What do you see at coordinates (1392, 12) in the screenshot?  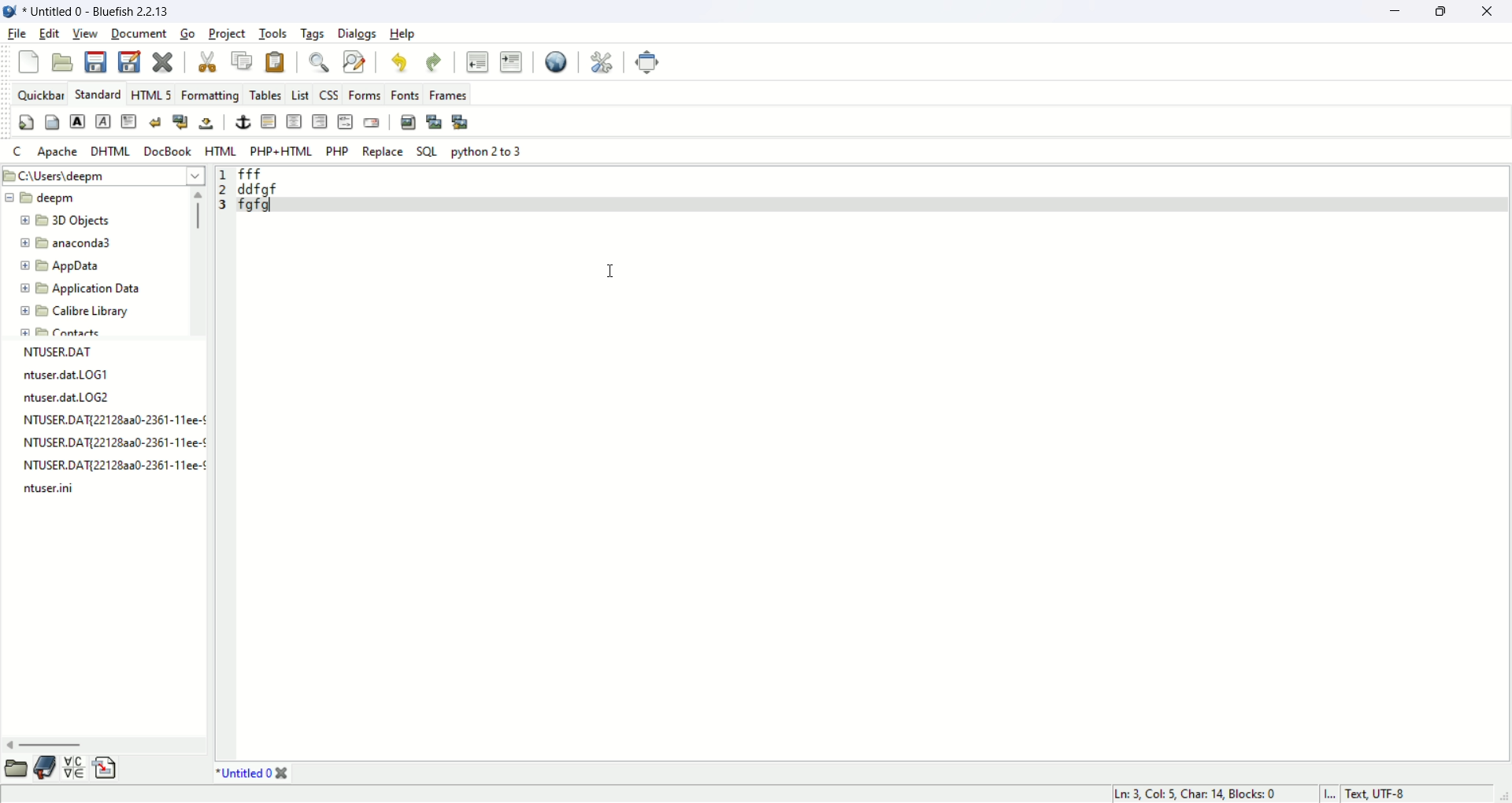 I see `minimize` at bounding box center [1392, 12].